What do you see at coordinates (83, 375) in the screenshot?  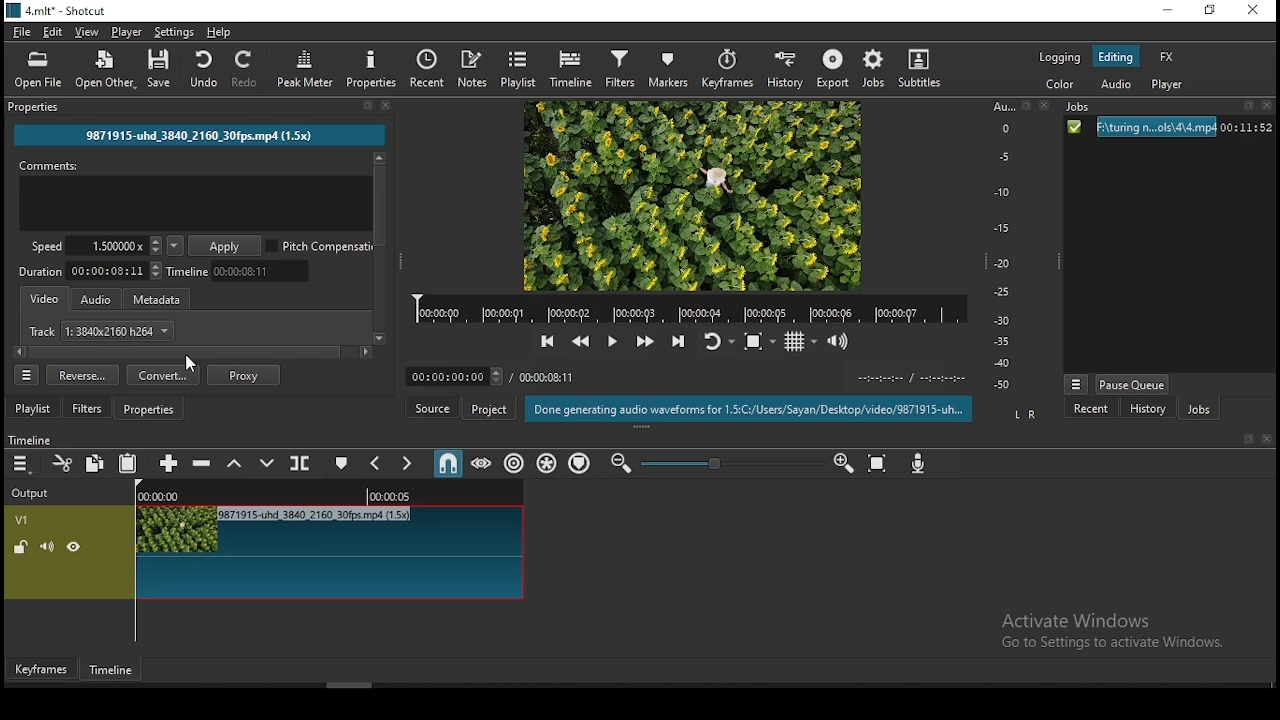 I see `reverse` at bounding box center [83, 375].